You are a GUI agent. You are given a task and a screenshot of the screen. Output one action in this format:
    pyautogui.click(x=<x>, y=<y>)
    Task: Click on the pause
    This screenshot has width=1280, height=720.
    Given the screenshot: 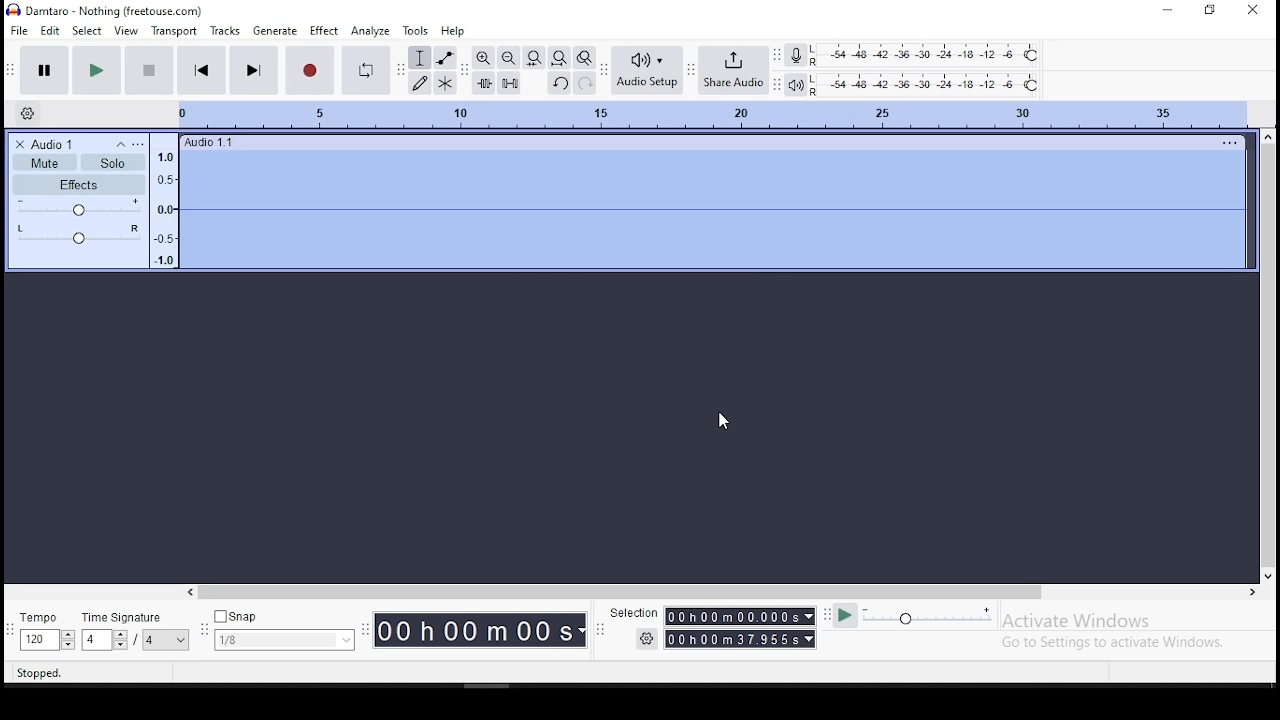 What is the action you would take?
    pyautogui.click(x=42, y=70)
    